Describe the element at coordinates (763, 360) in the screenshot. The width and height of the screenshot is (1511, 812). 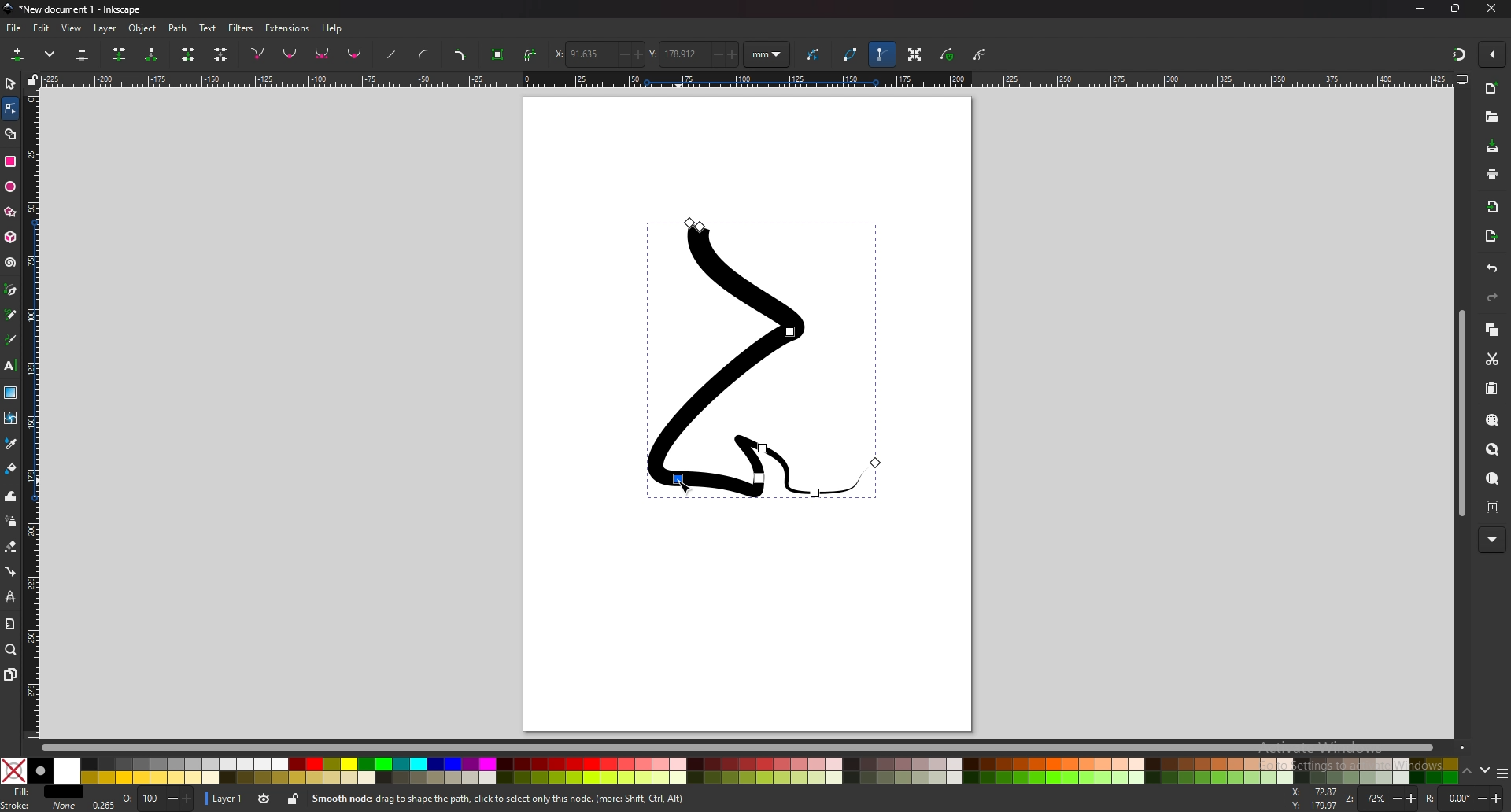
I see `drawing` at that location.